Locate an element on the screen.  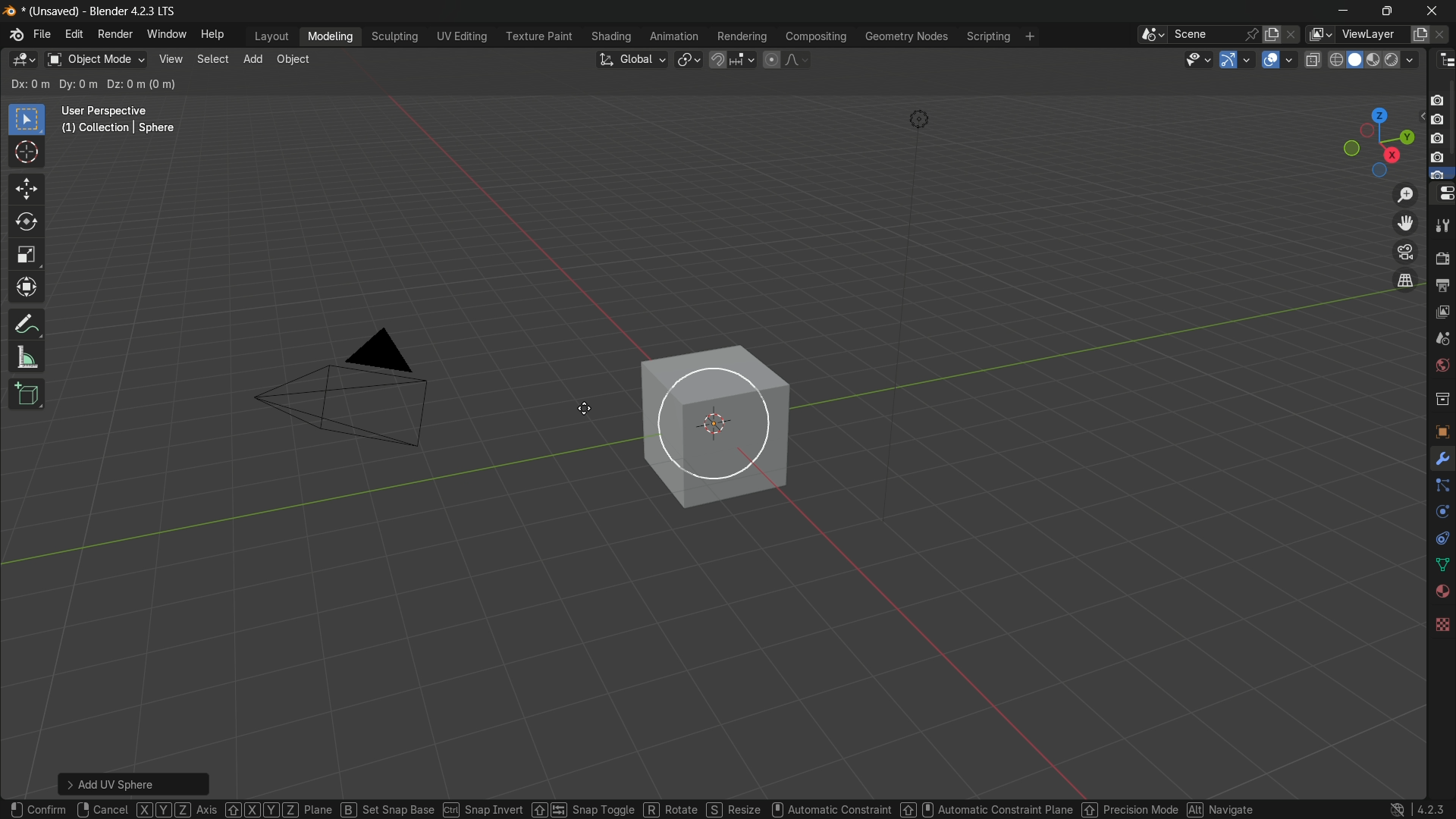
snap is located at coordinates (732, 59).